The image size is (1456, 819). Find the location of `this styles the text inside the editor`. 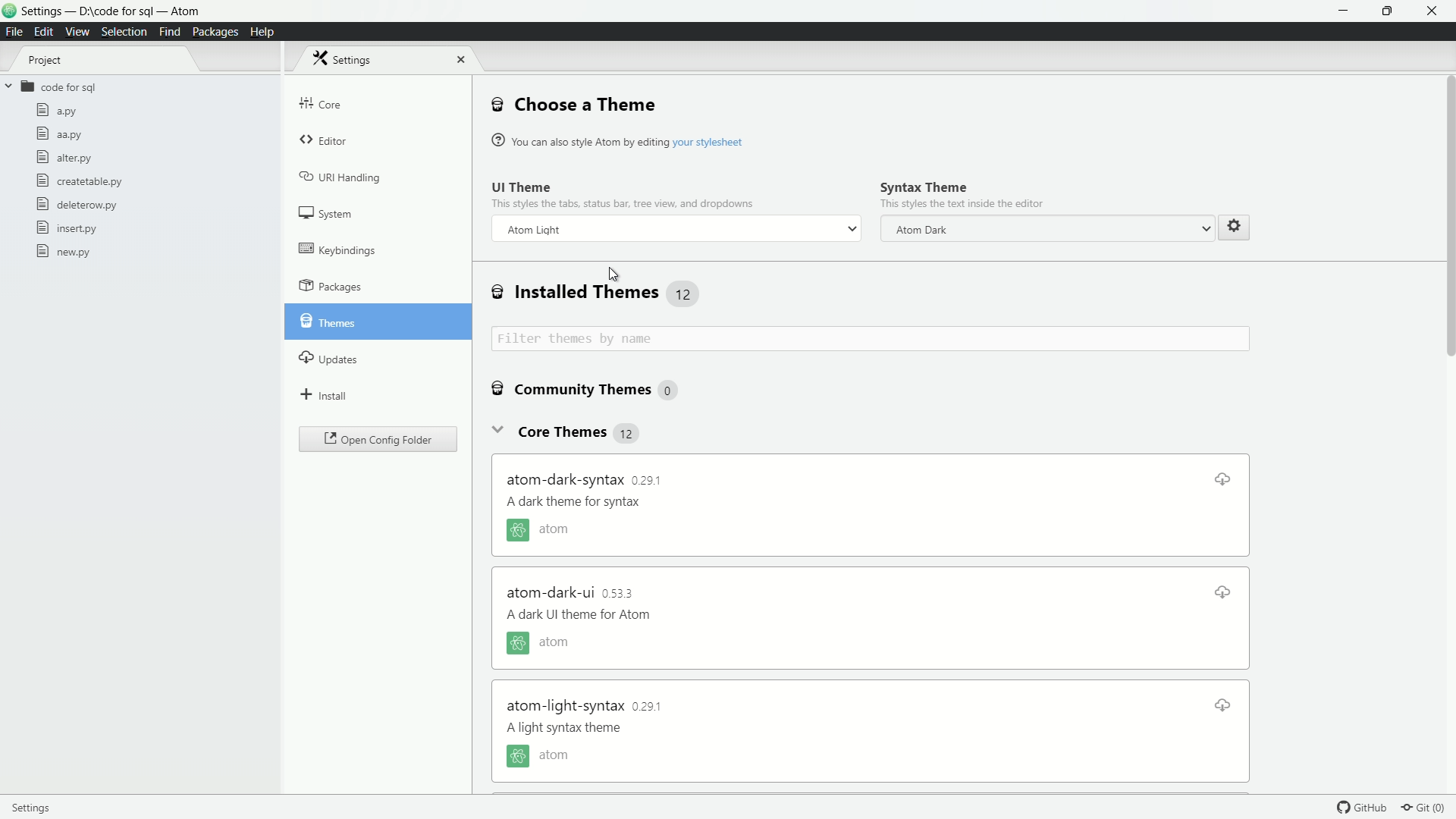

this styles the text inside the editor is located at coordinates (968, 206).